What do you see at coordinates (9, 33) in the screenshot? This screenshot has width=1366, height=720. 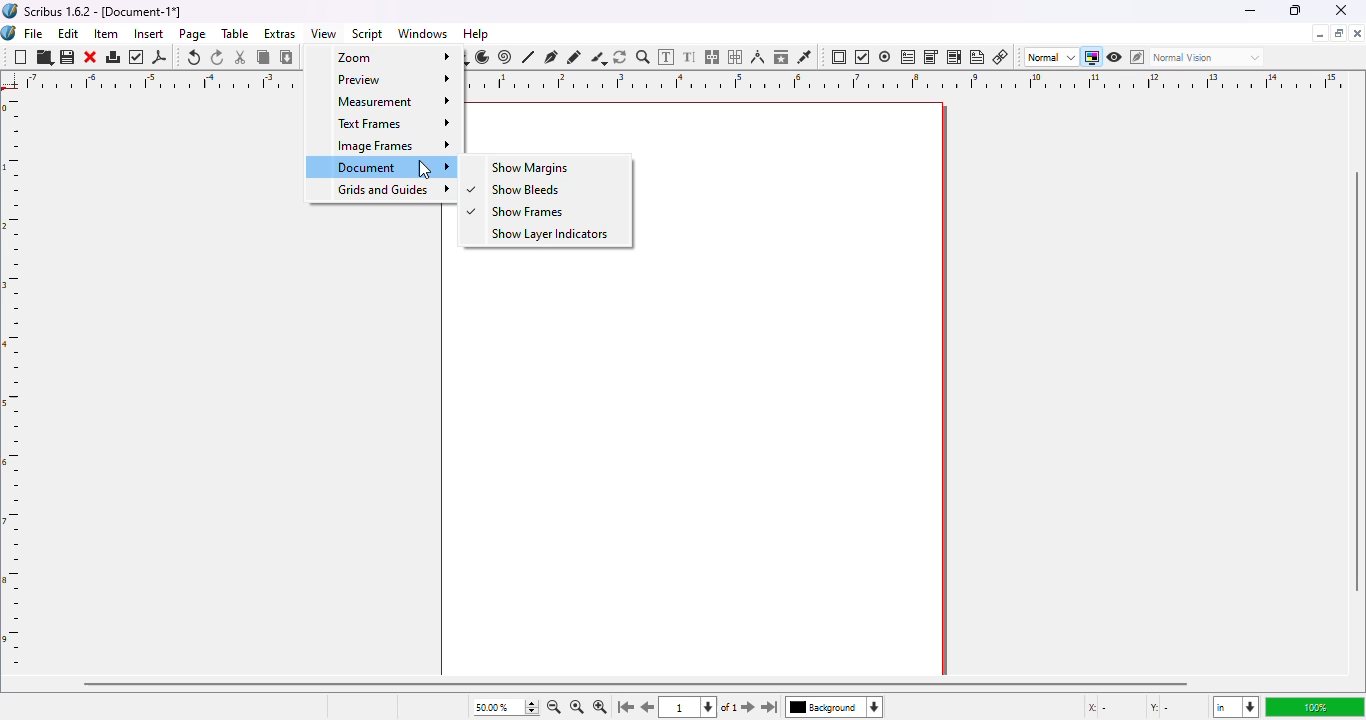 I see `logo` at bounding box center [9, 33].